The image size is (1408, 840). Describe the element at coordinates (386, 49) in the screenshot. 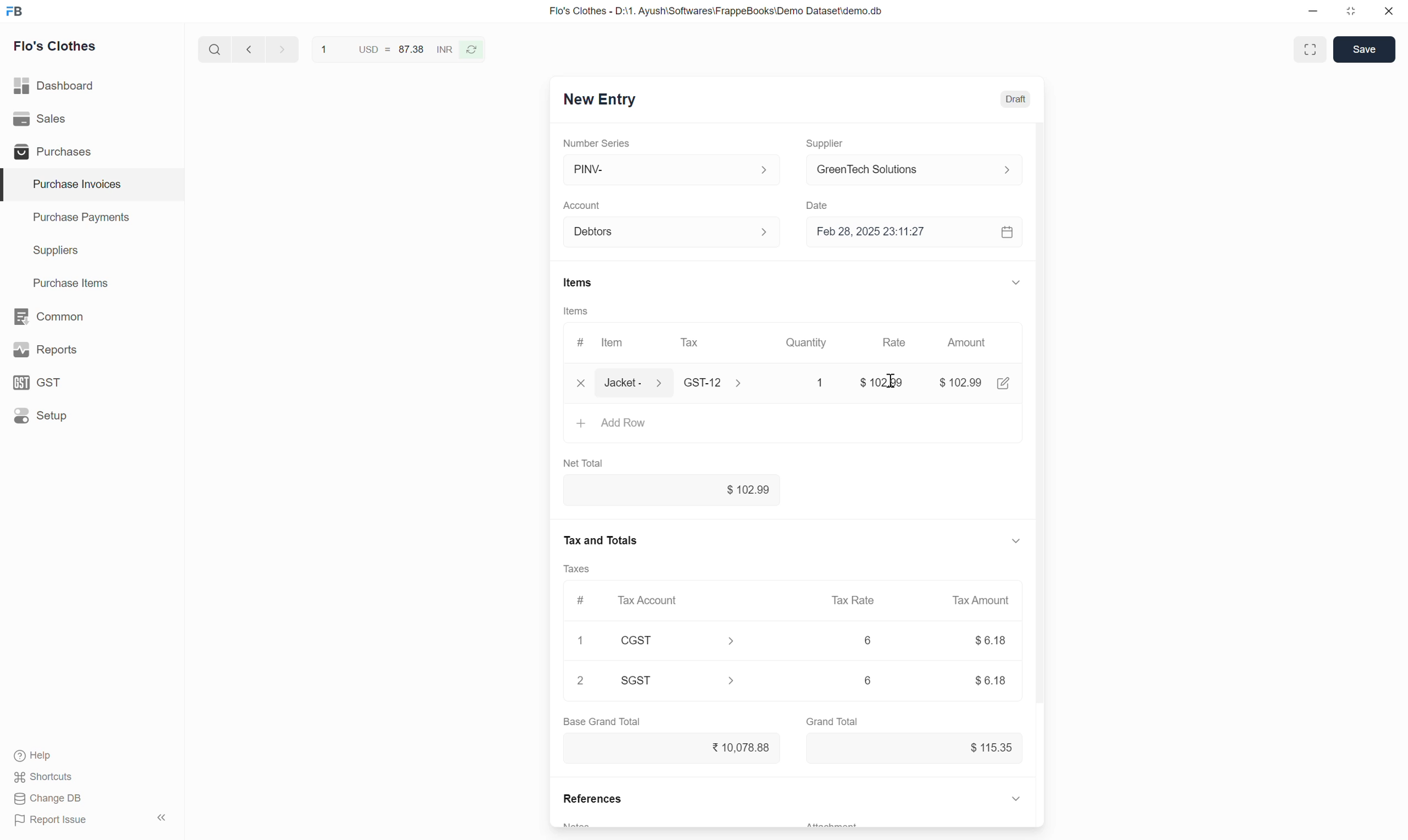

I see `1 USD = 87.38 INR` at that location.